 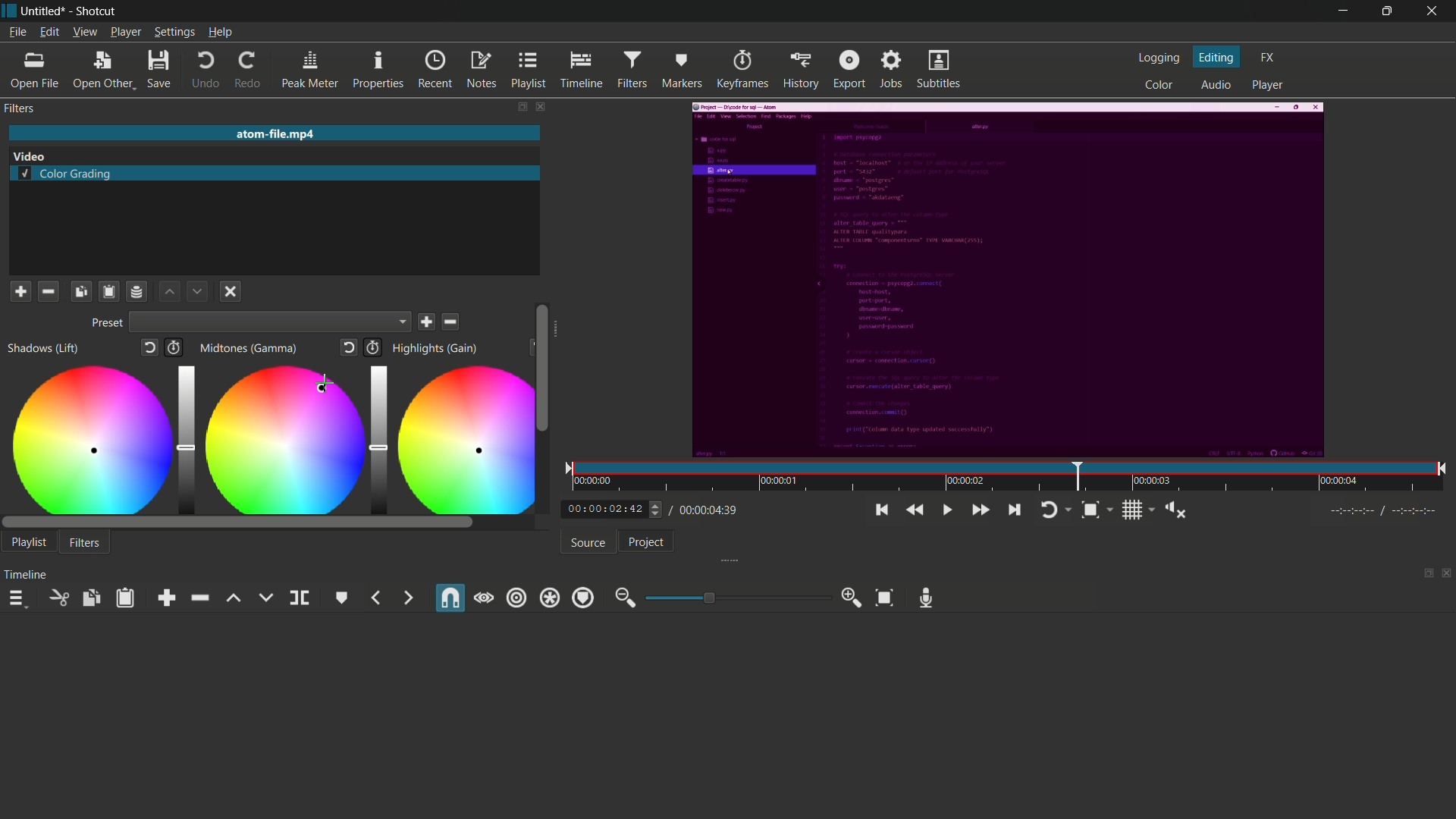 What do you see at coordinates (657, 510) in the screenshot?
I see `toggle buttons` at bounding box center [657, 510].